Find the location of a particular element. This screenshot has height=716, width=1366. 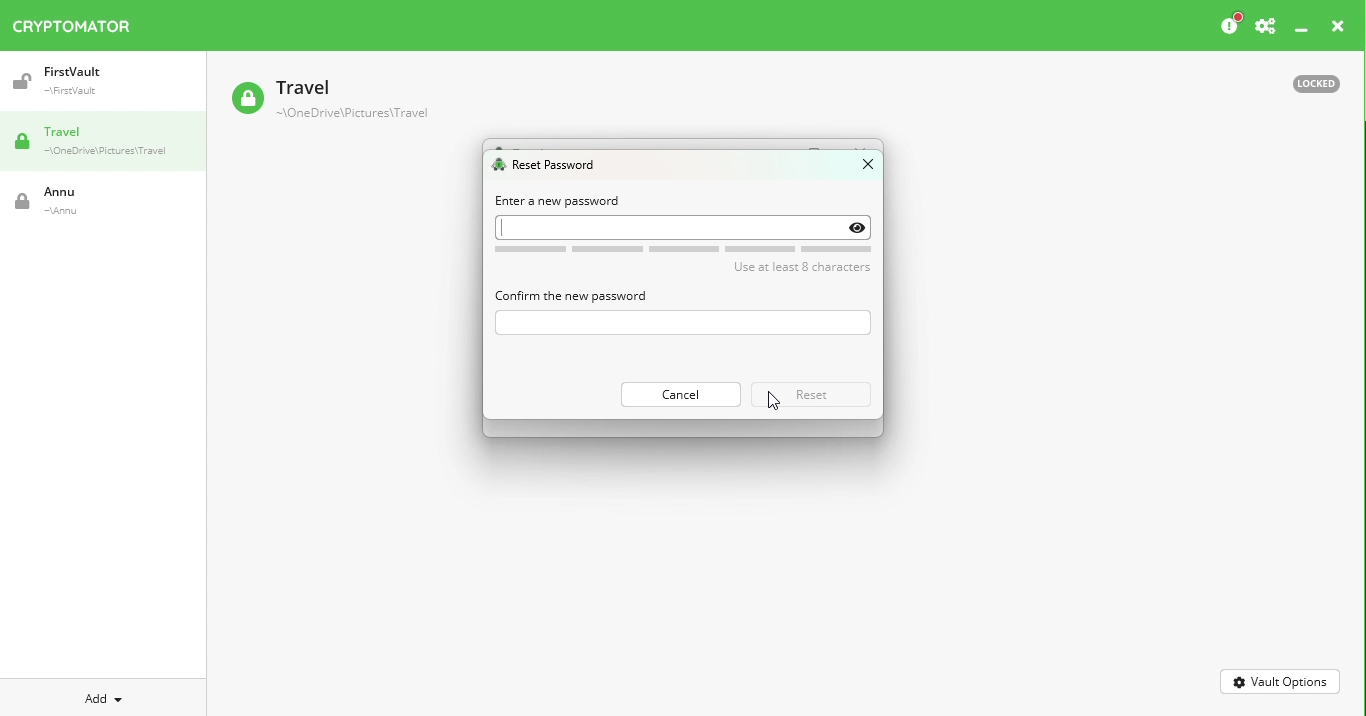

Enter a new password is located at coordinates (559, 201).